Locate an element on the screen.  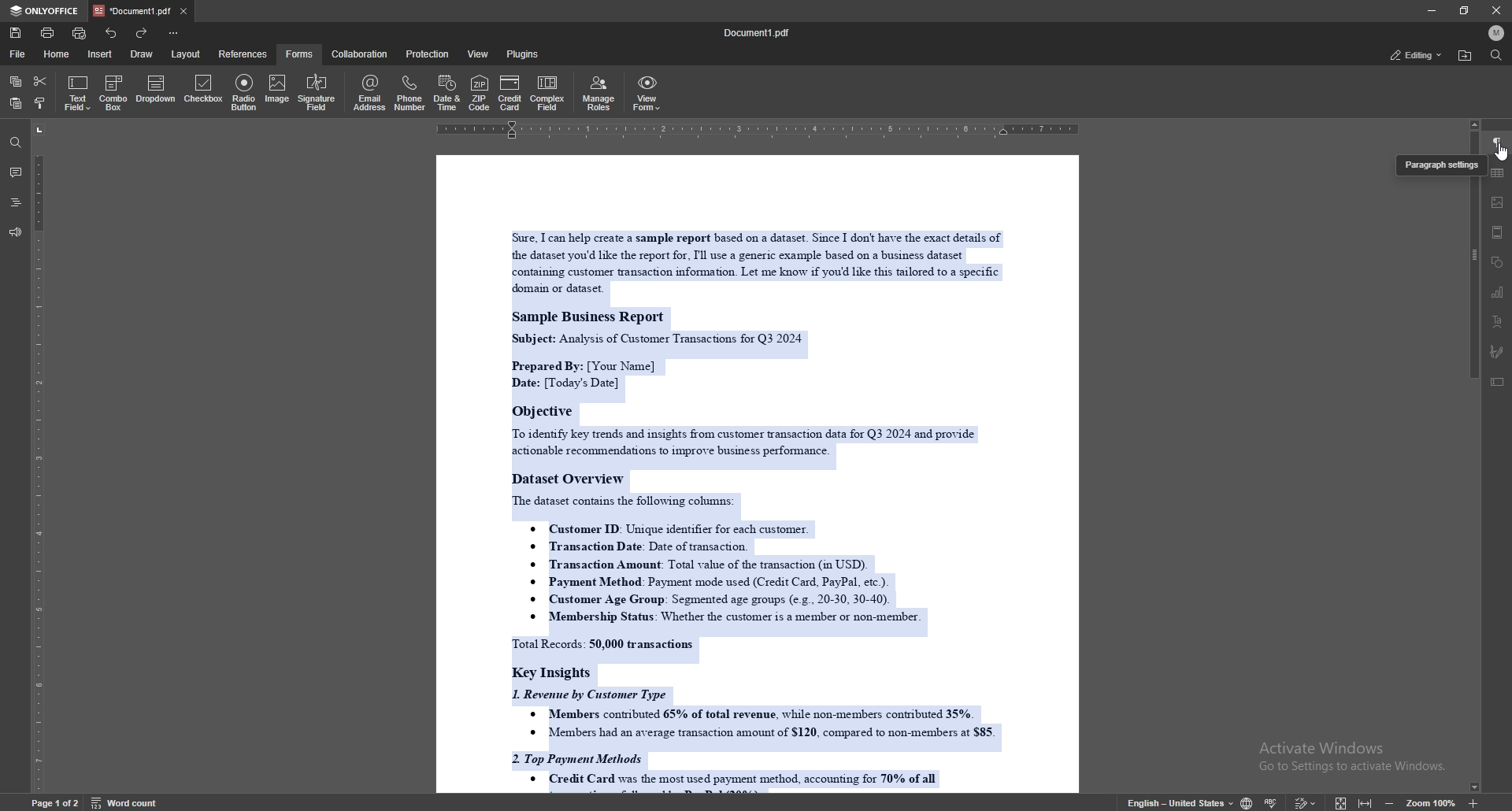
combo box is located at coordinates (113, 93).